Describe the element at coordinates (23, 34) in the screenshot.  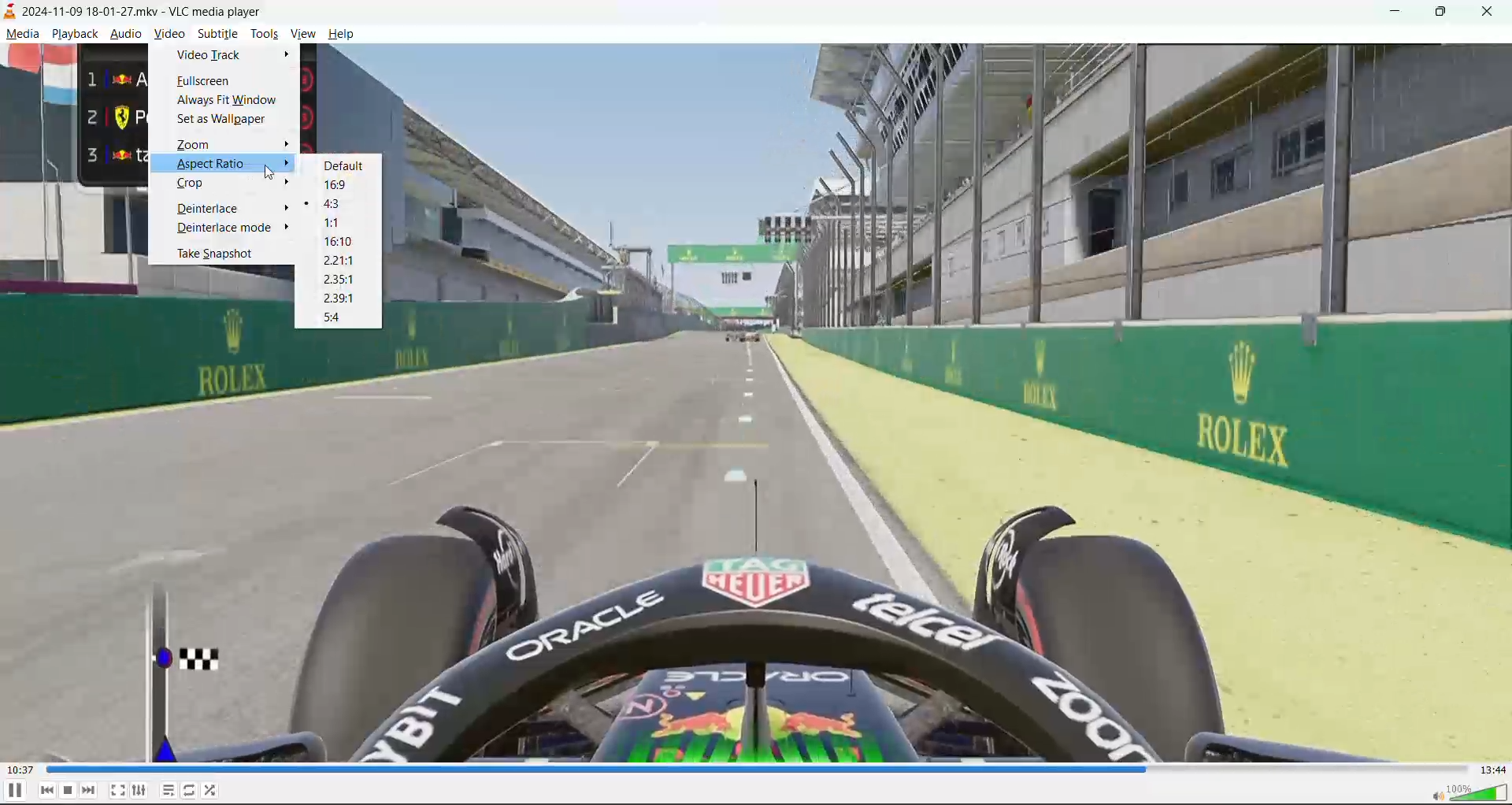
I see `media` at that location.